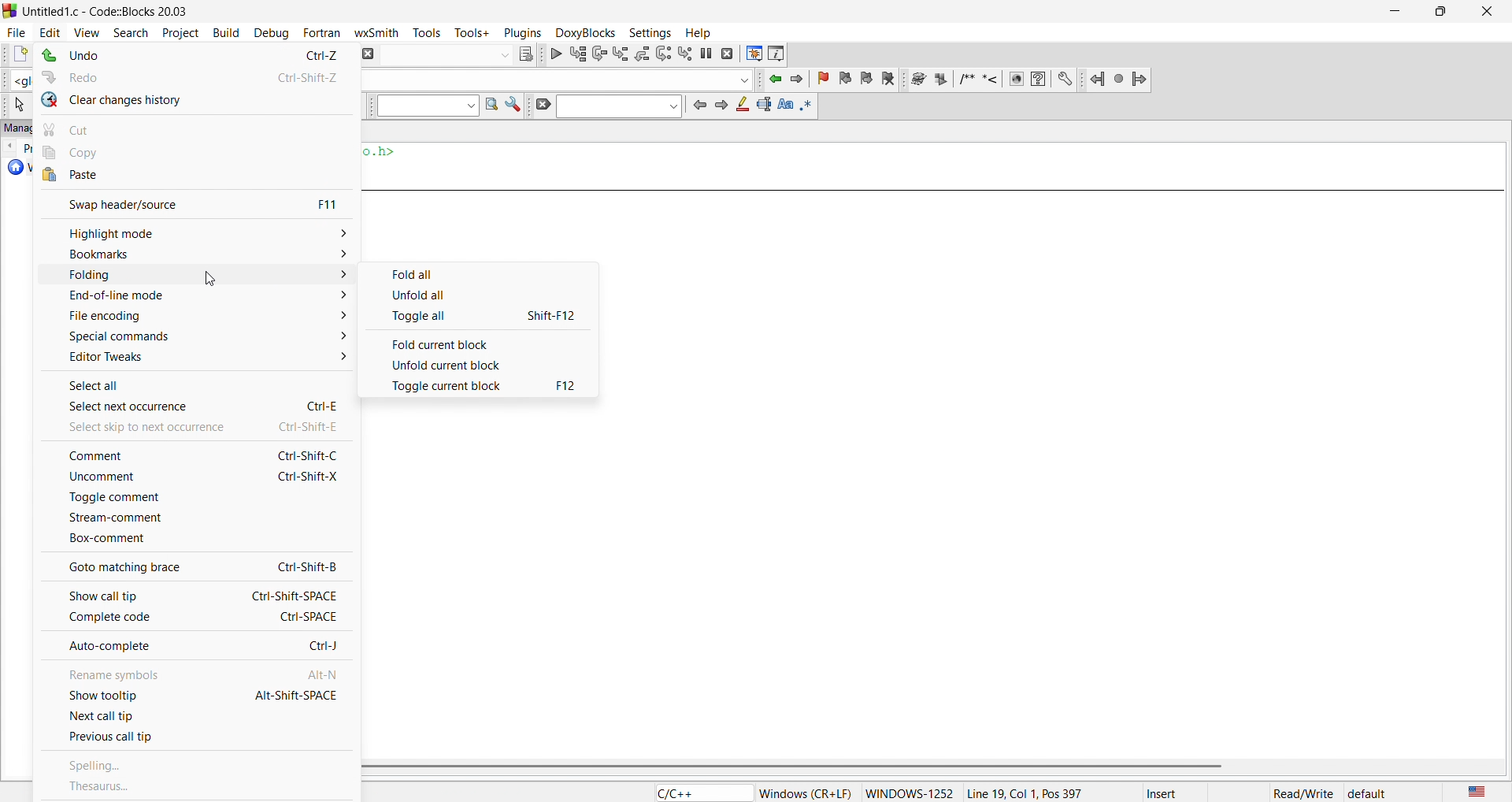  Describe the element at coordinates (891, 80) in the screenshot. I see `clear bookmart` at that location.